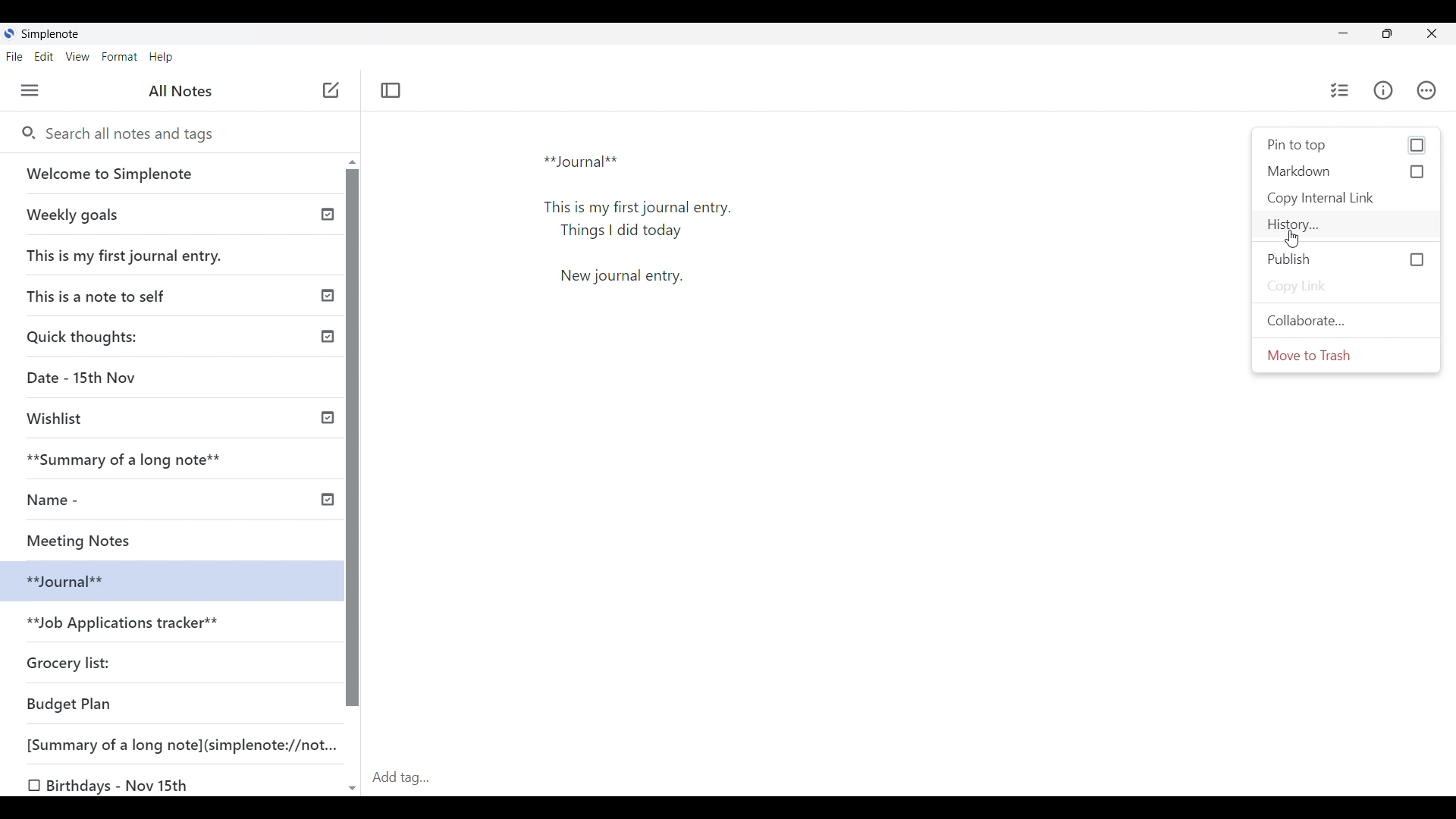 This screenshot has width=1456, height=819. Describe the element at coordinates (1346, 319) in the screenshot. I see `Collaborate` at that location.